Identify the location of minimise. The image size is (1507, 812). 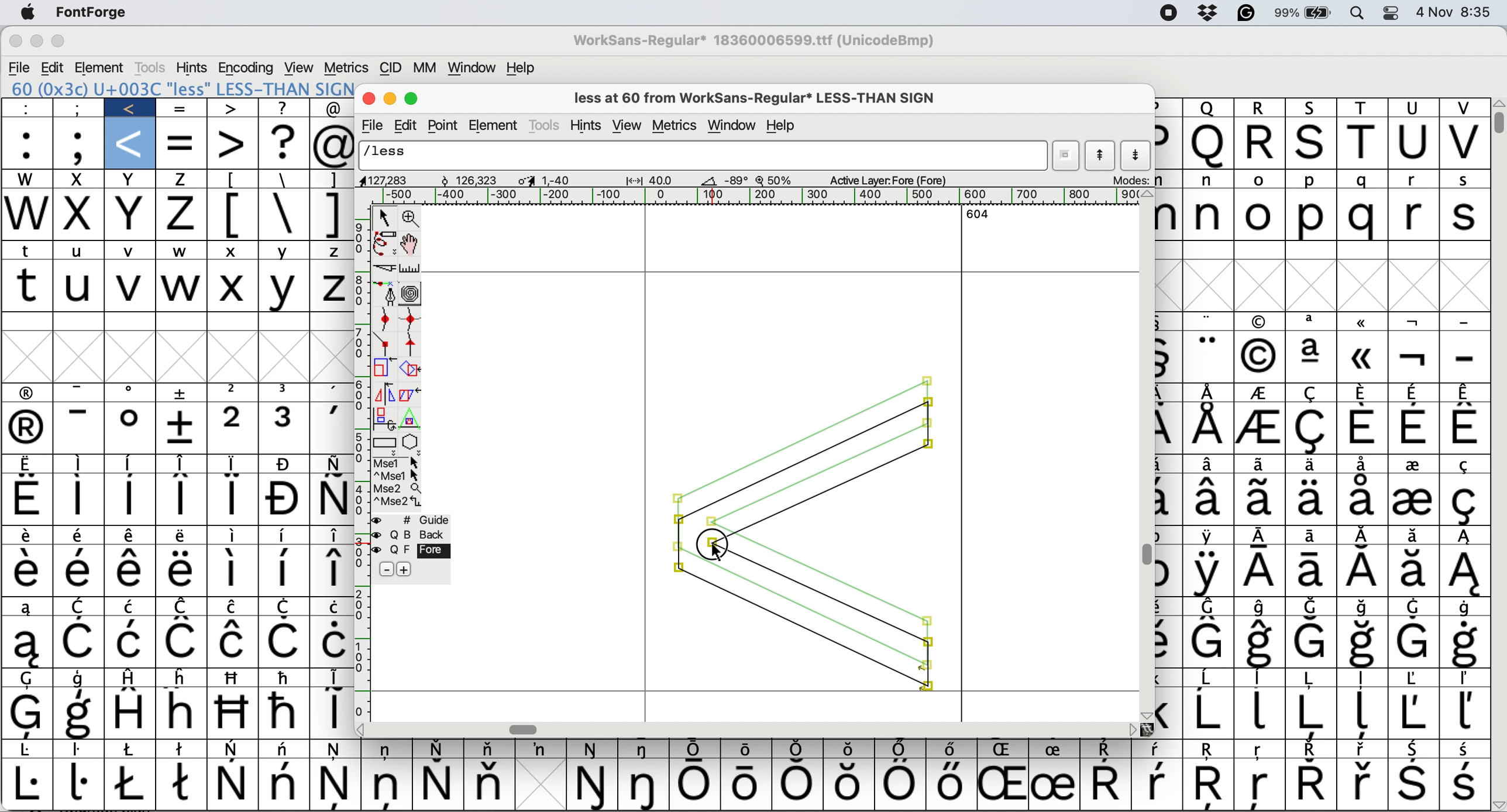
(391, 101).